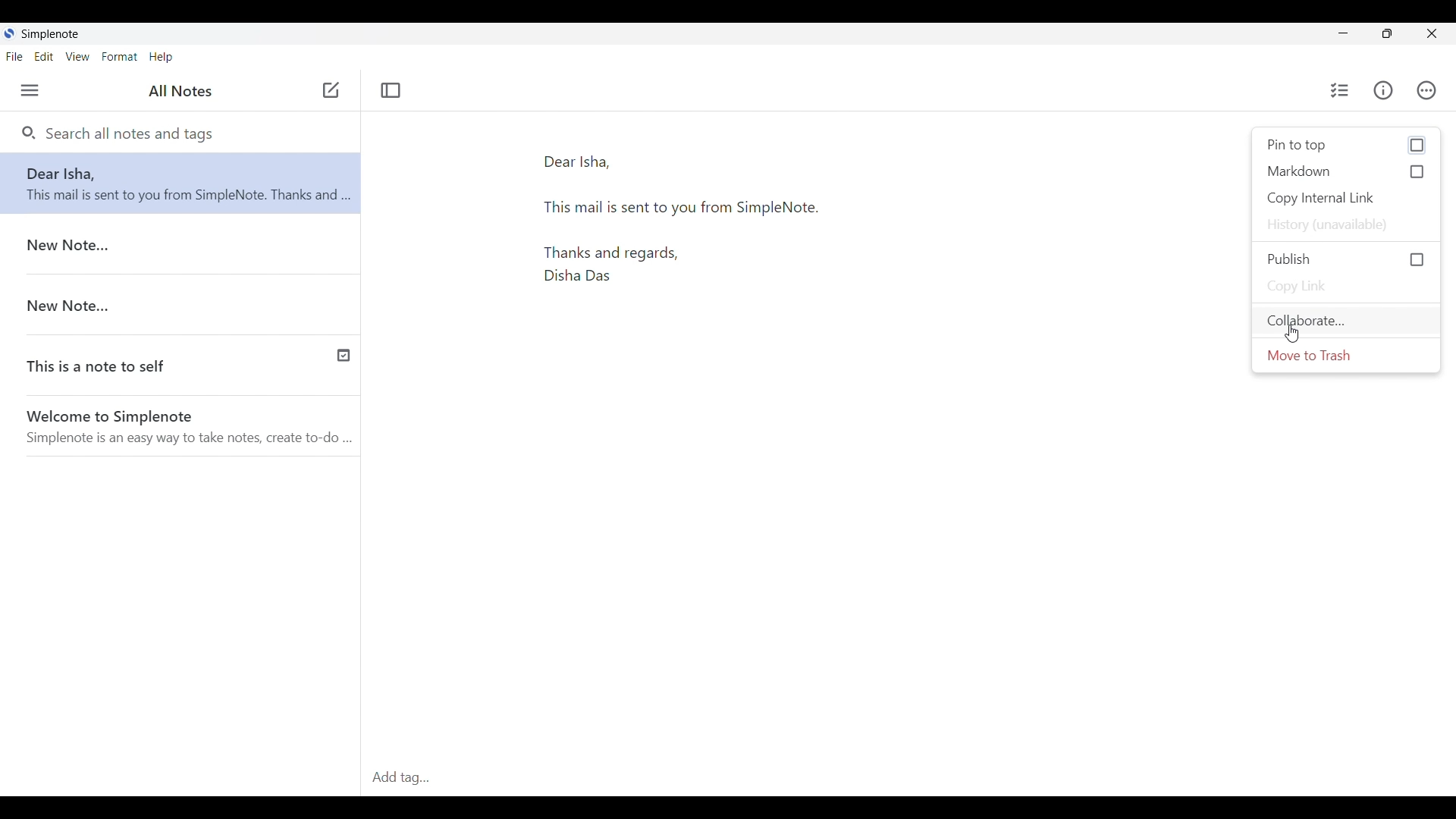 Image resolution: width=1456 pixels, height=819 pixels. Describe the element at coordinates (1345, 145) in the screenshot. I see `Pin to top` at that location.